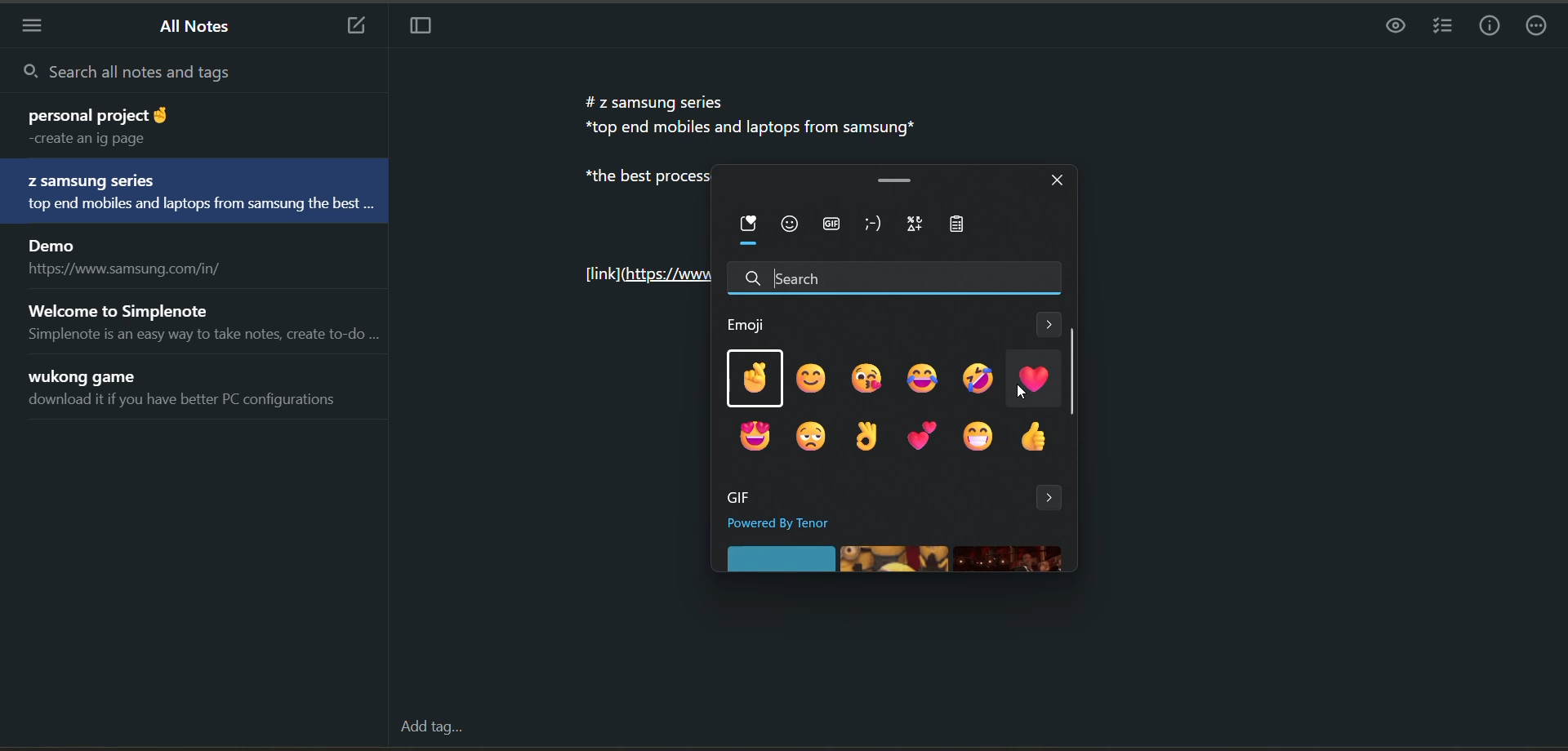  Describe the element at coordinates (191, 392) in the screenshot. I see `note title and preview` at that location.